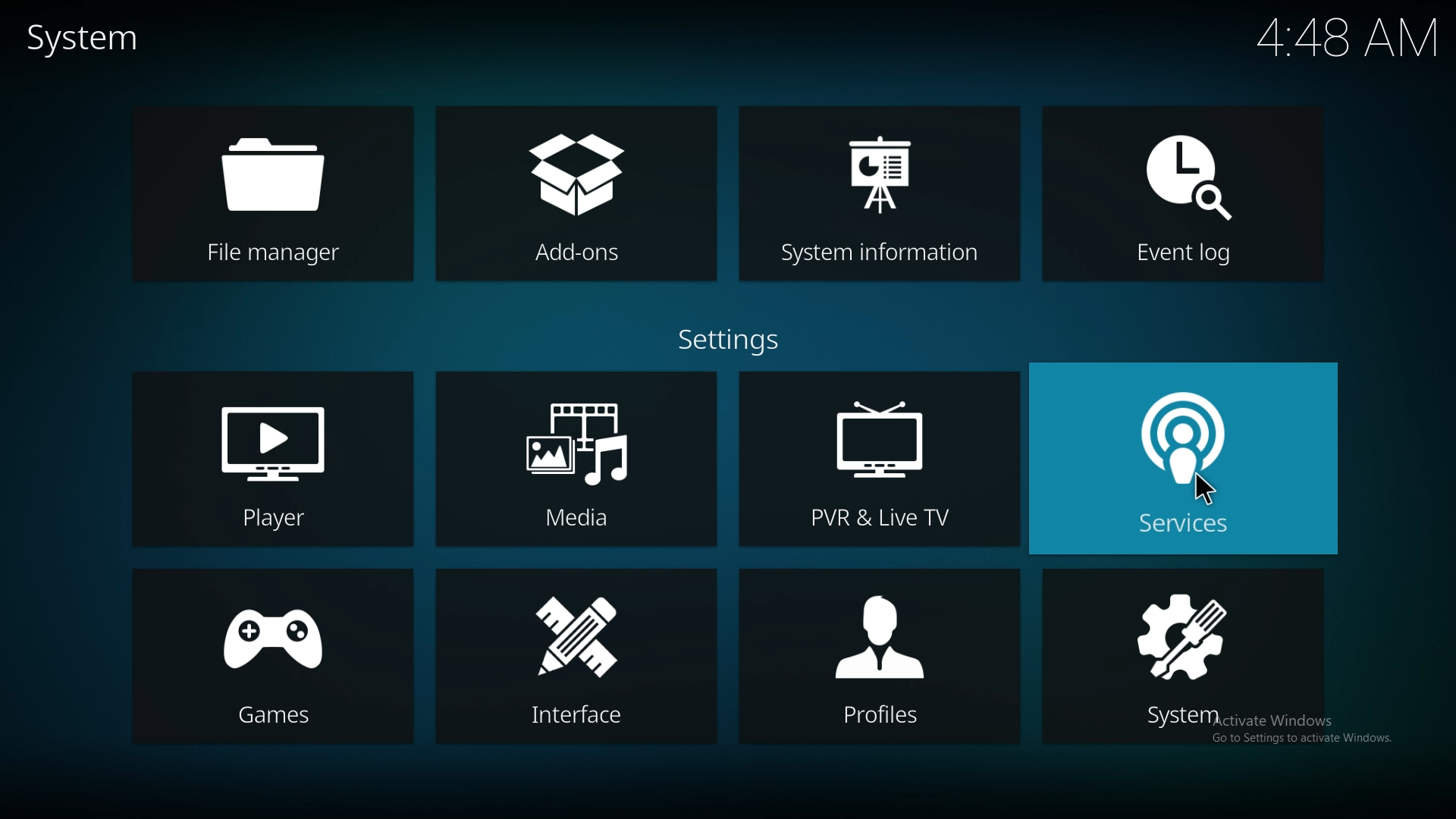 This screenshot has height=819, width=1456. What do you see at coordinates (881, 458) in the screenshot?
I see `pvr and live tv` at bounding box center [881, 458].